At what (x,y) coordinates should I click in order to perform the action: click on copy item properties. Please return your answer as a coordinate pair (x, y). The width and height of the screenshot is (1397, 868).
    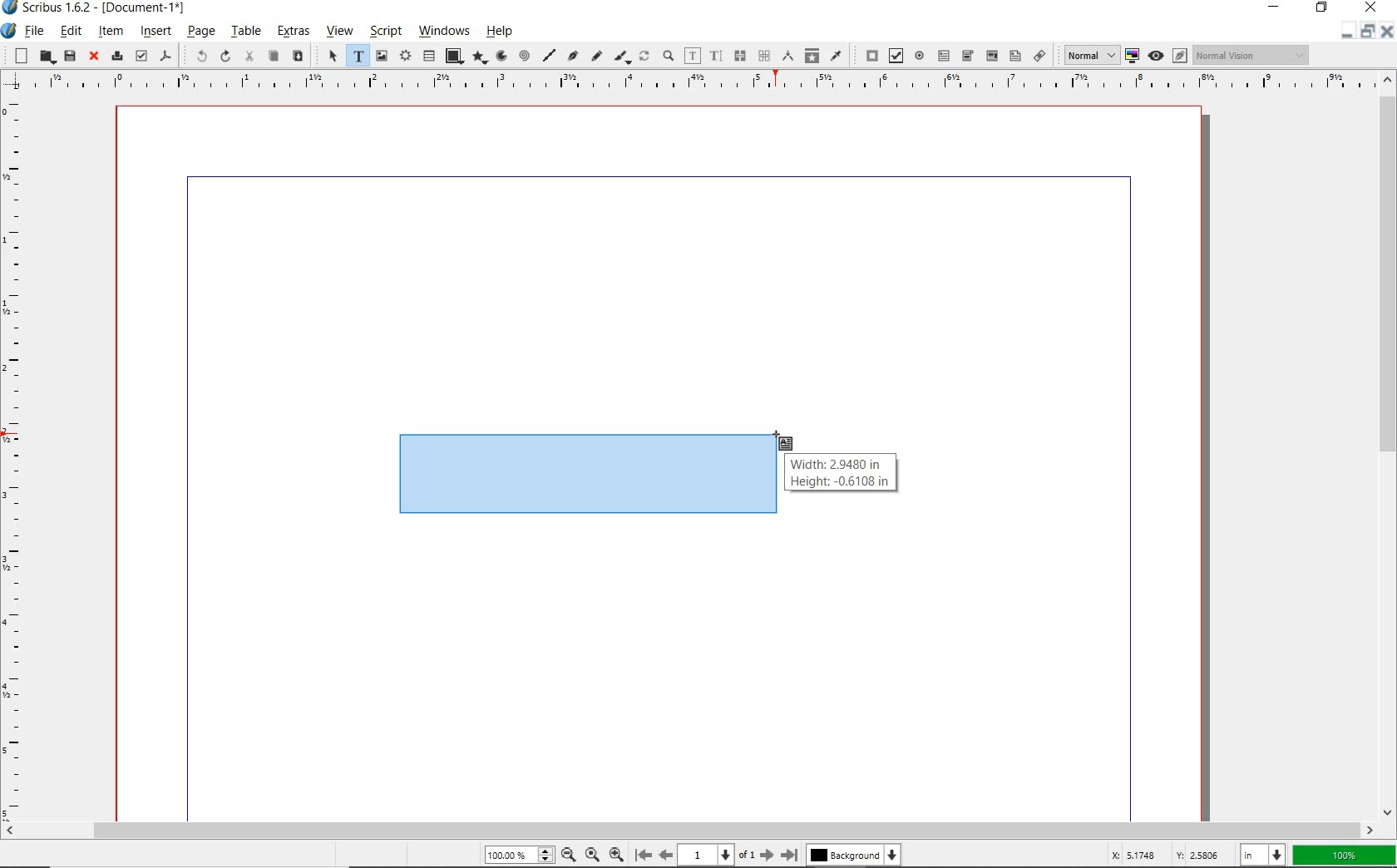
    Looking at the image, I should click on (812, 55).